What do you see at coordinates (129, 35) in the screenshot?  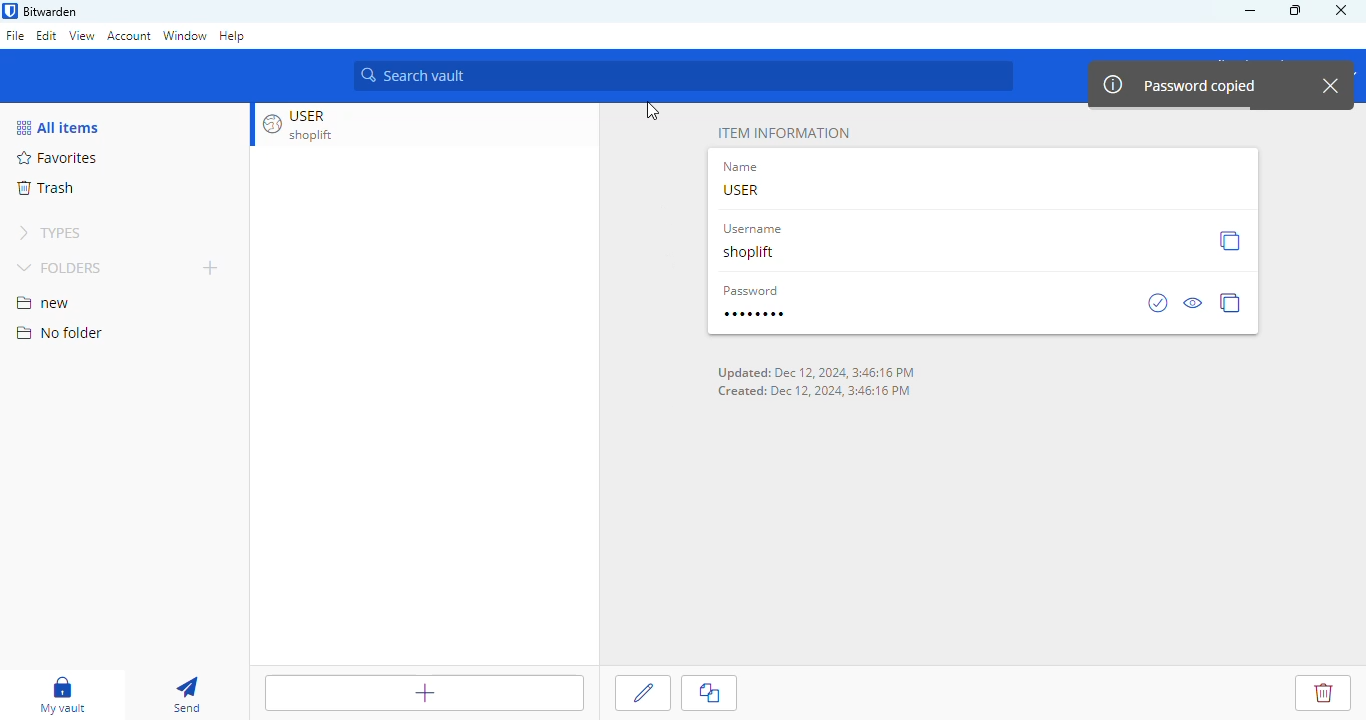 I see `account` at bounding box center [129, 35].